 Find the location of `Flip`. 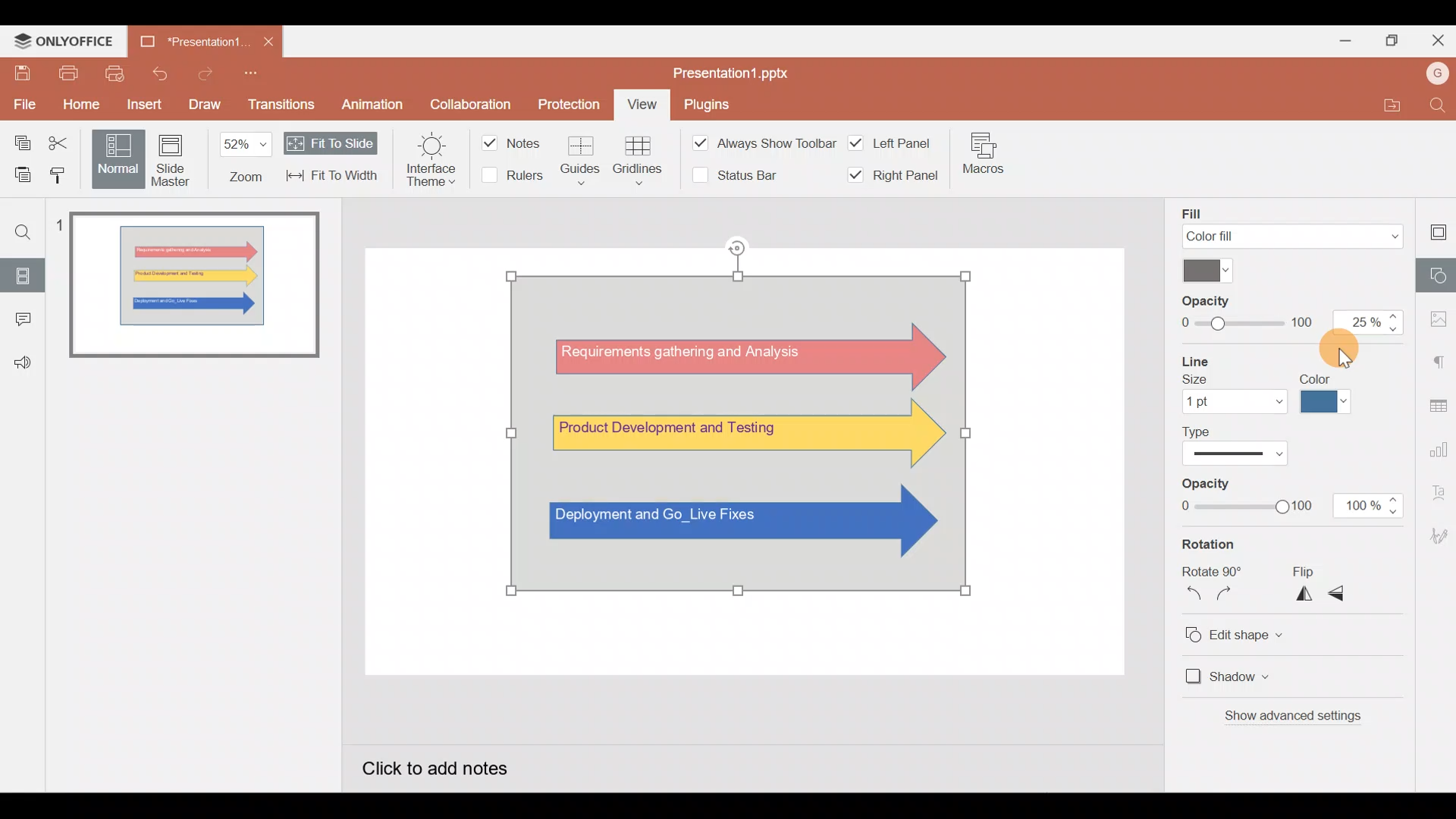

Flip is located at coordinates (1310, 572).